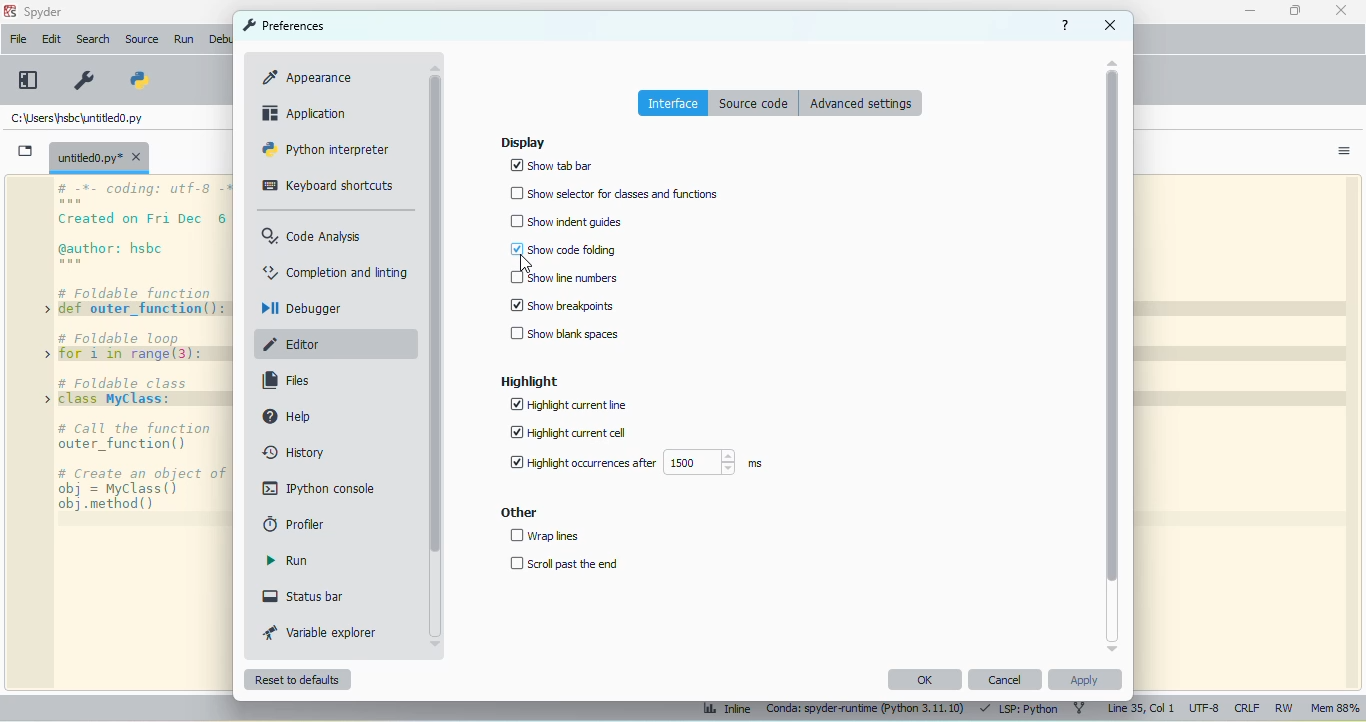 Image resolution: width=1366 pixels, height=722 pixels. What do you see at coordinates (286, 381) in the screenshot?
I see `files` at bounding box center [286, 381].